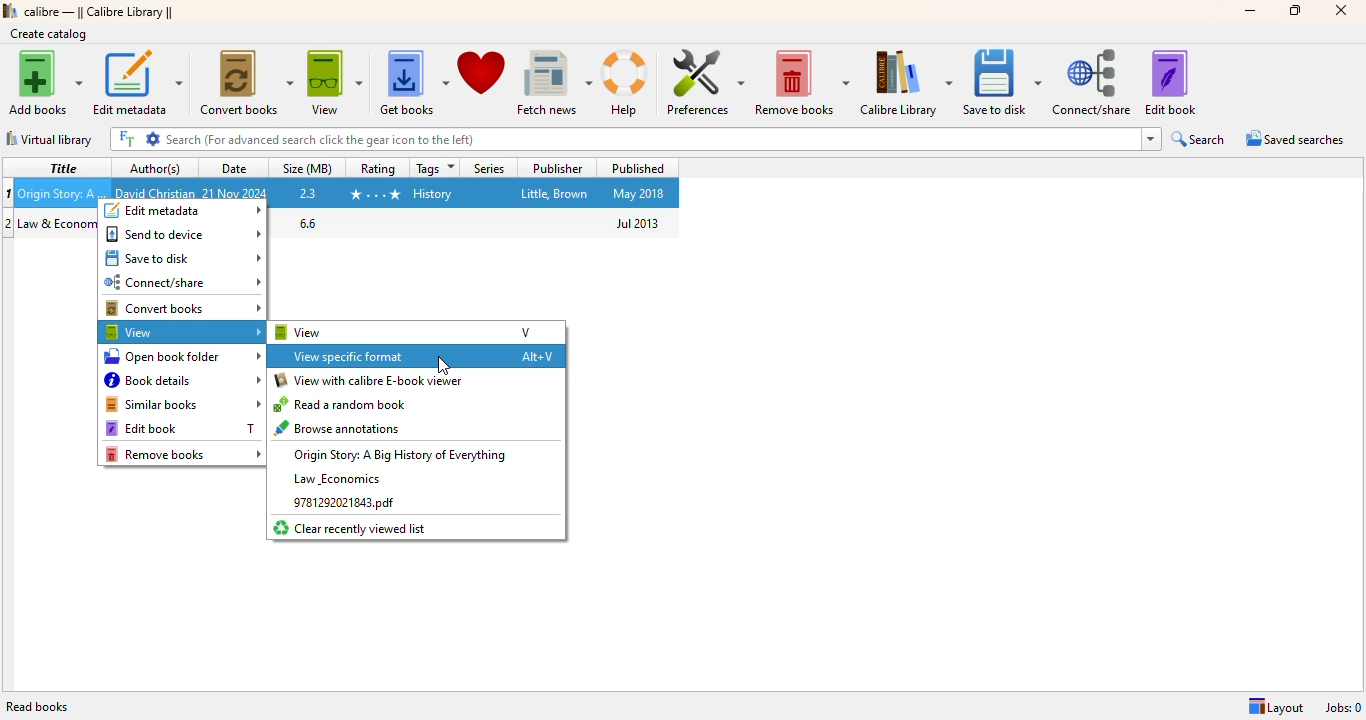 Image resolution: width=1366 pixels, height=720 pixels. What do you see at coordinates (184, 233) in the screenshot?
I see `send to device` at bounding box center [184, 233].